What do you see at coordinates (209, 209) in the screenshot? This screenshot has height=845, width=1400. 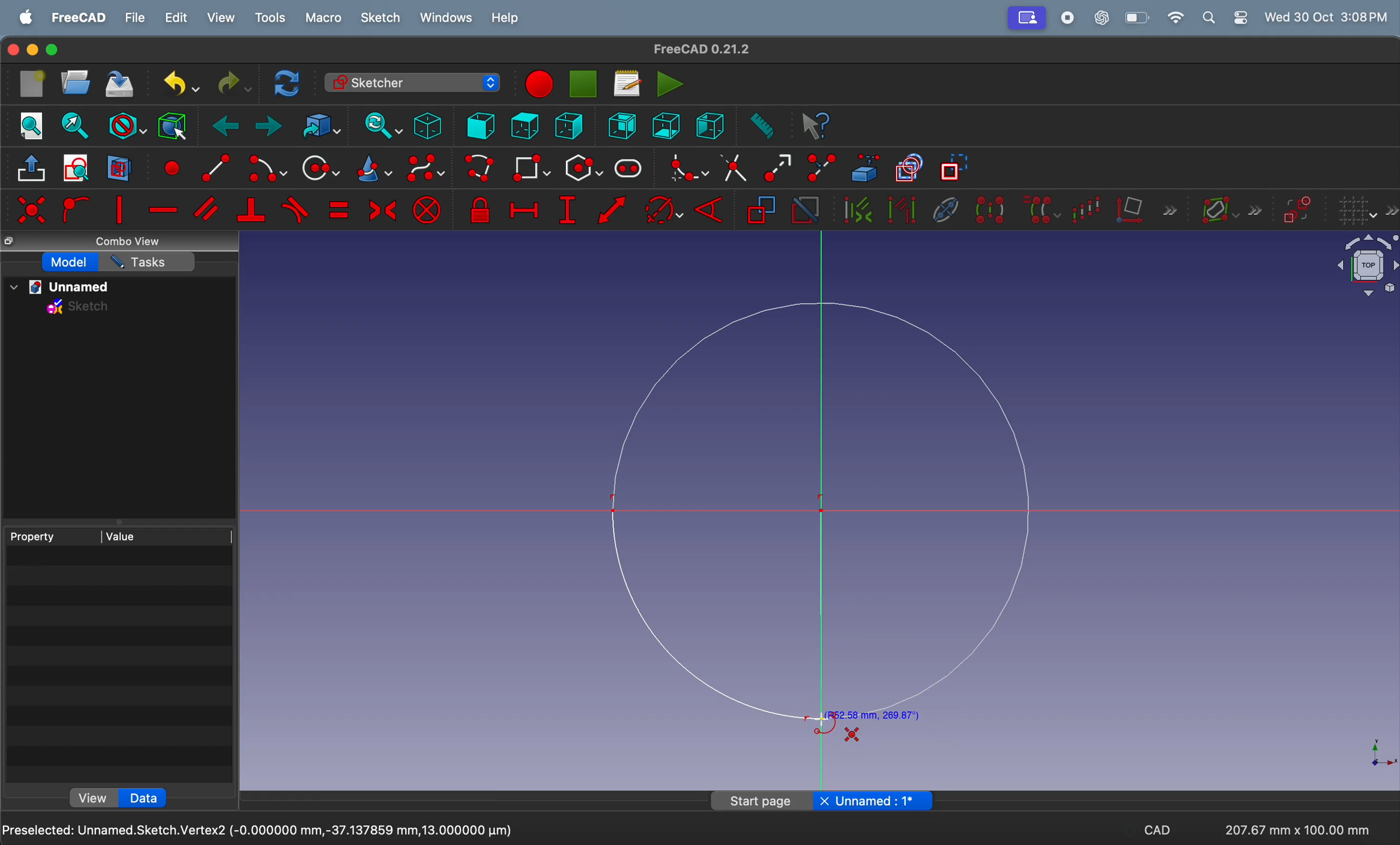 I see `constrain parallel` at bounding box center [209, 209].